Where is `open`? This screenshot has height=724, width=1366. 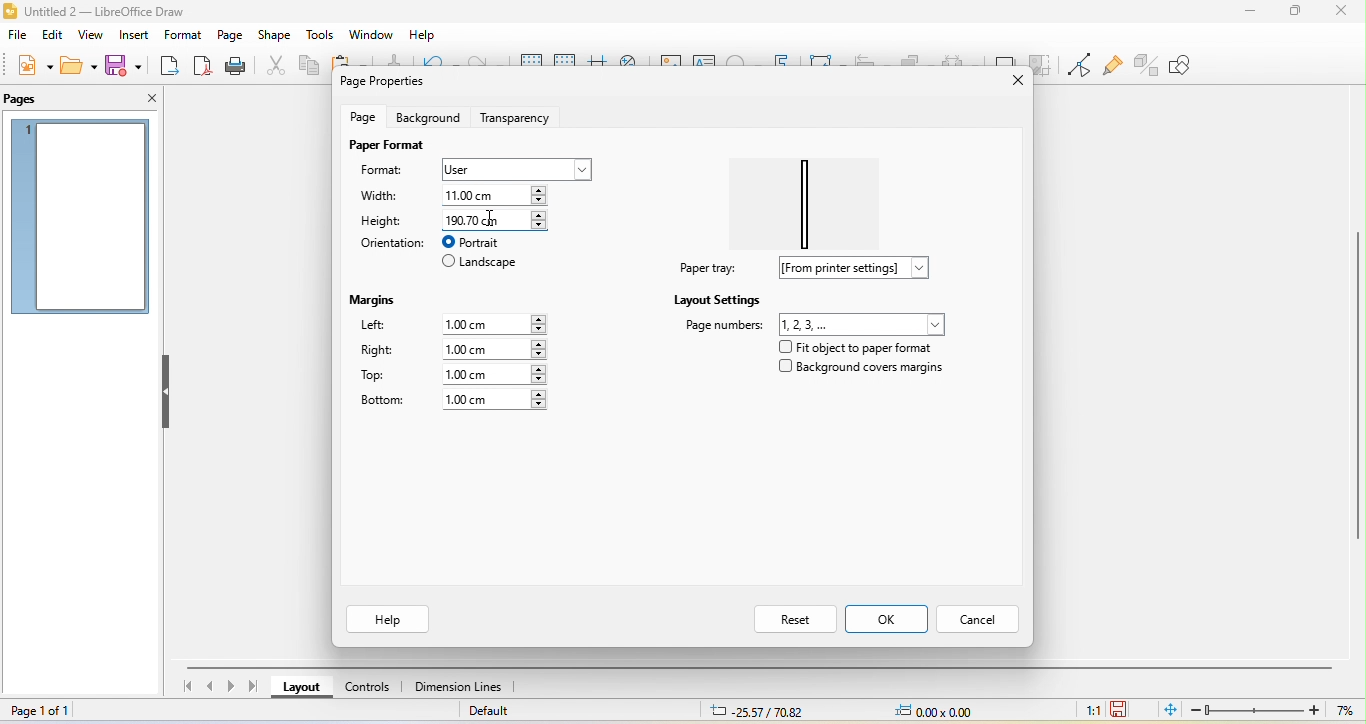 open is located at coordinates (77, 65).